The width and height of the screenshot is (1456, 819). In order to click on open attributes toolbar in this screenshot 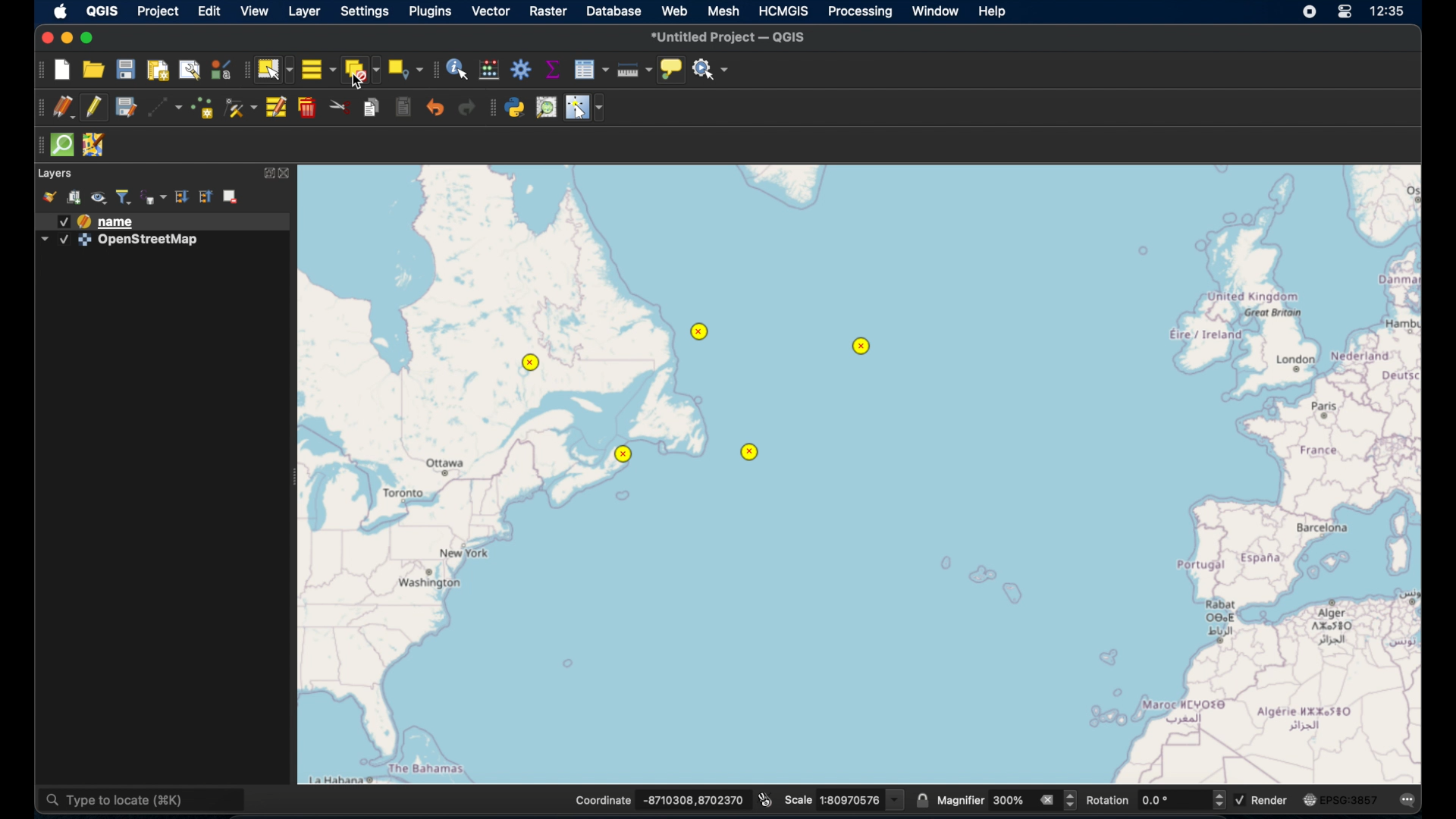, I will do `click(591, 69)`.